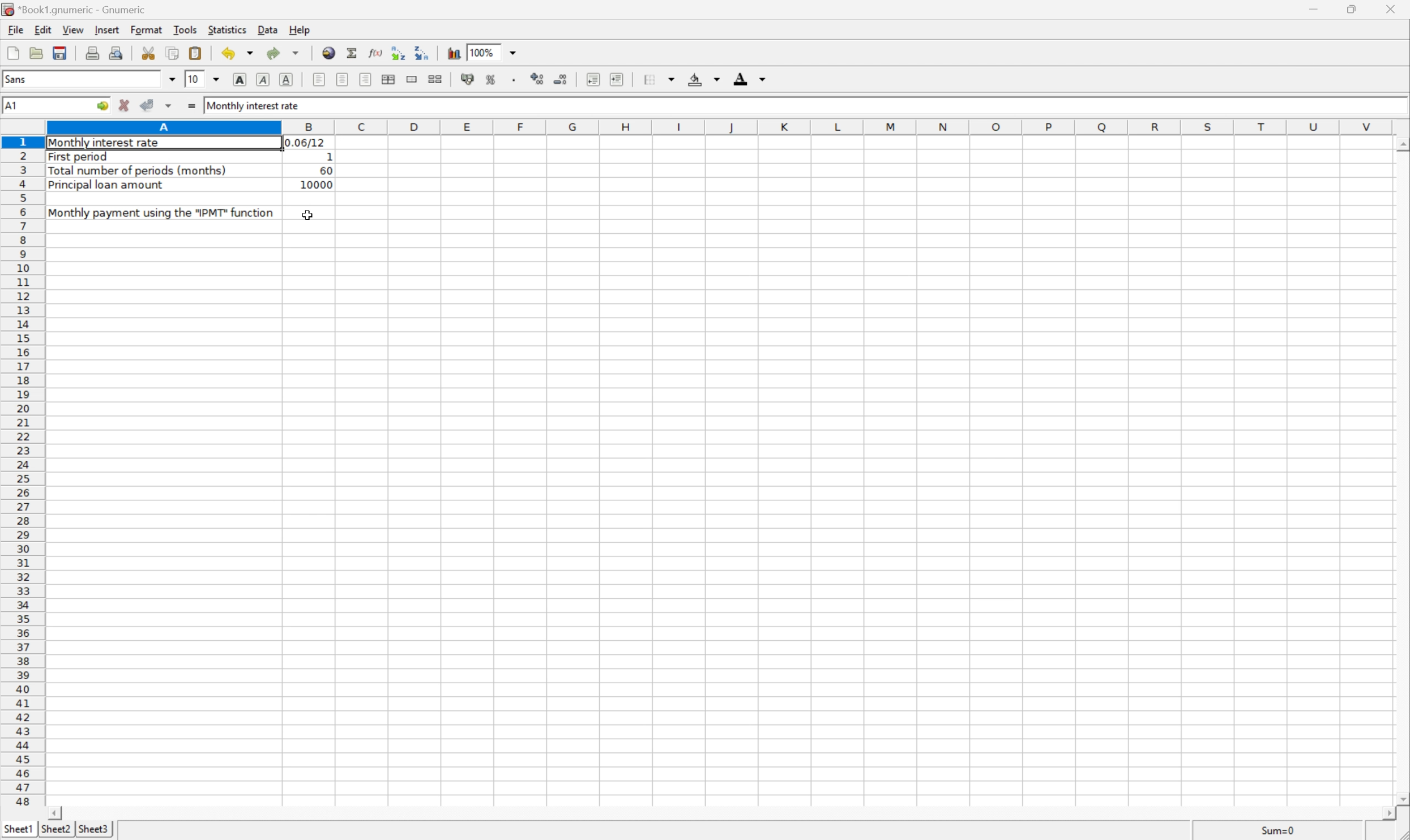 Image resolution: width=1410 pixels, height=840 pixels. Describe the element at coordinates (327, 52) in the screenshot. I see `Insert a hyperlink` at that location.